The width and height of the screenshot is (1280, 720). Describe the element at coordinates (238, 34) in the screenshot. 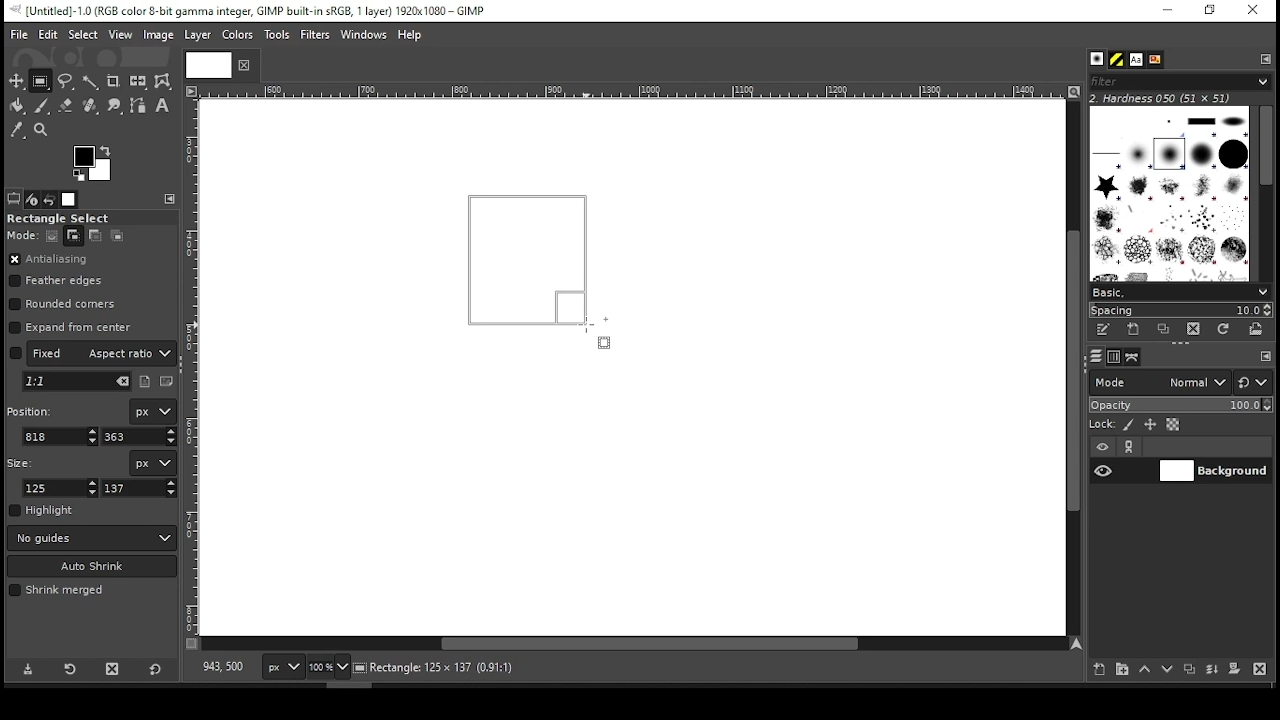

I see `color` at that location.